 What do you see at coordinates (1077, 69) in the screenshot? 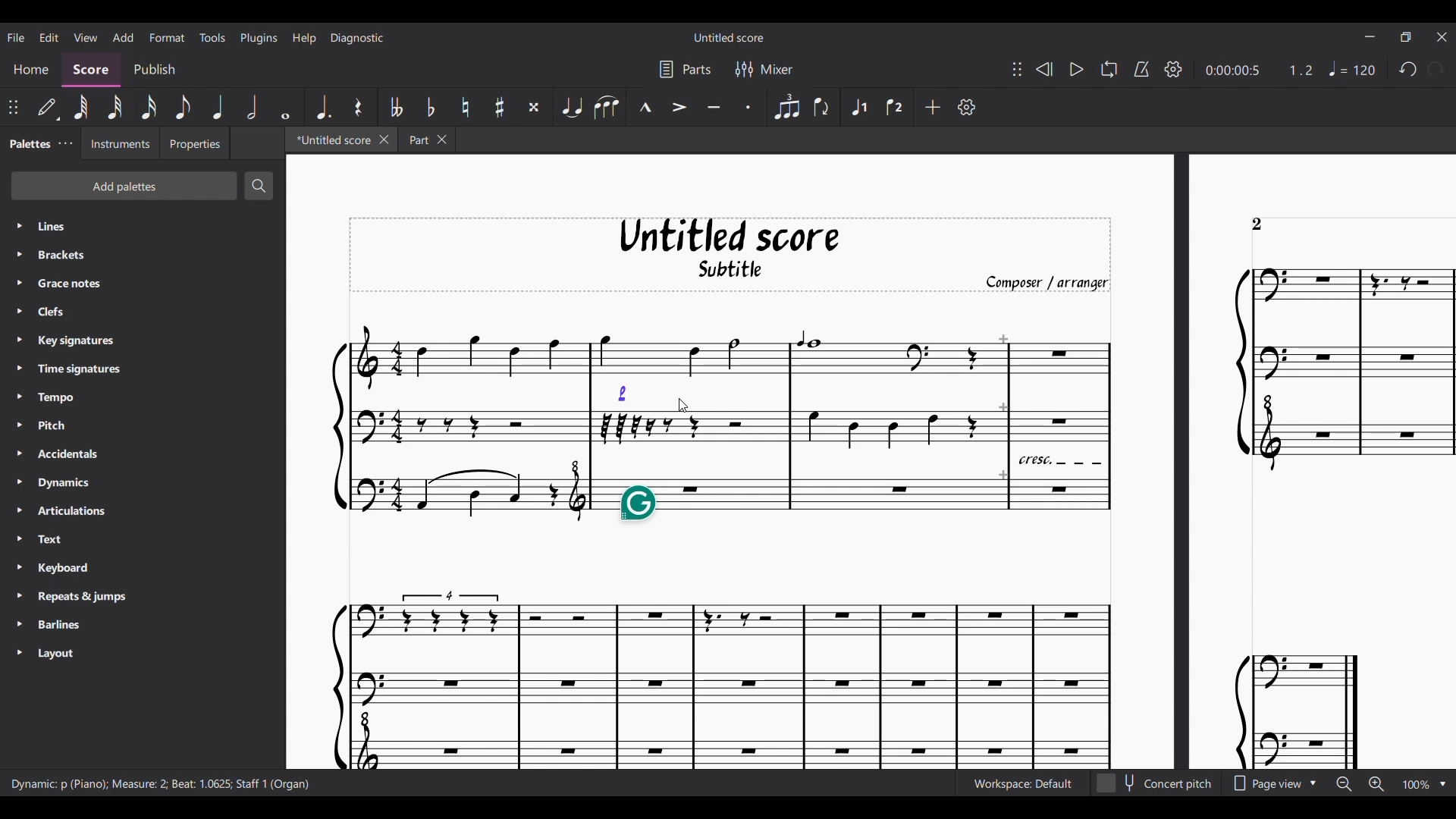
I see `Play` at bounding box center [1077, 69].